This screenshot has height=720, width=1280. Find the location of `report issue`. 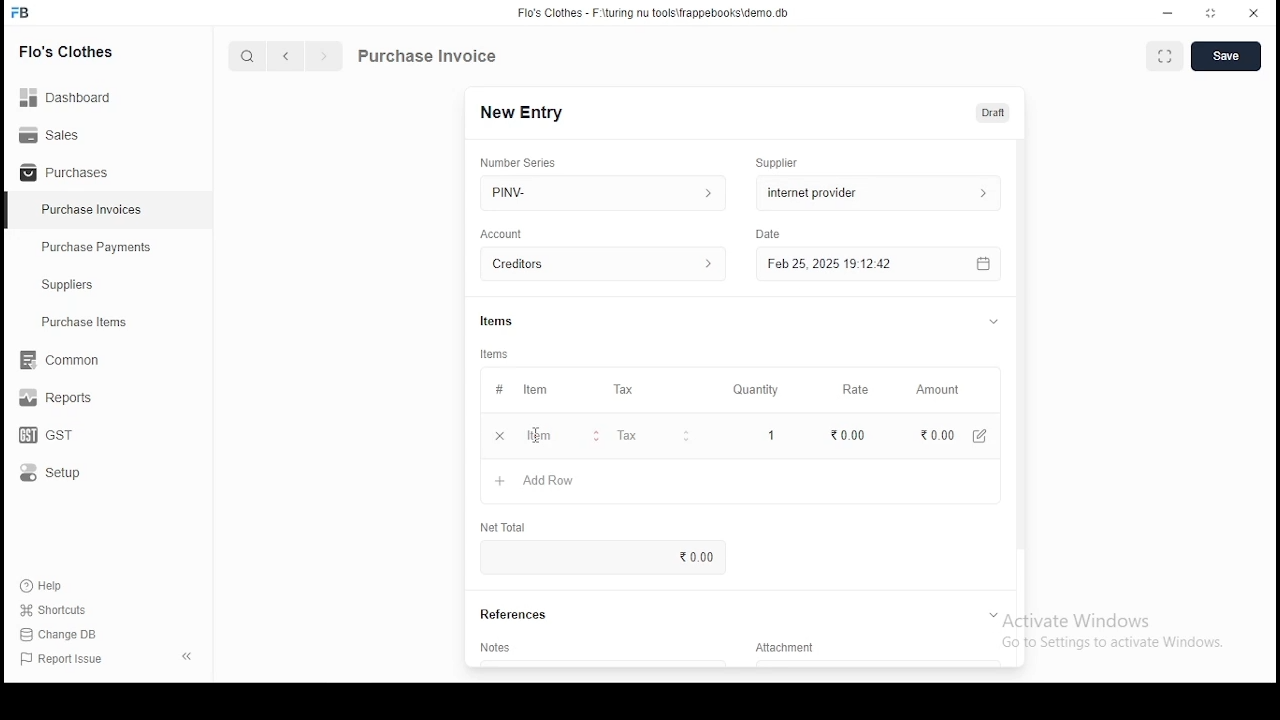

report issue is located at coordinates (64, 660).